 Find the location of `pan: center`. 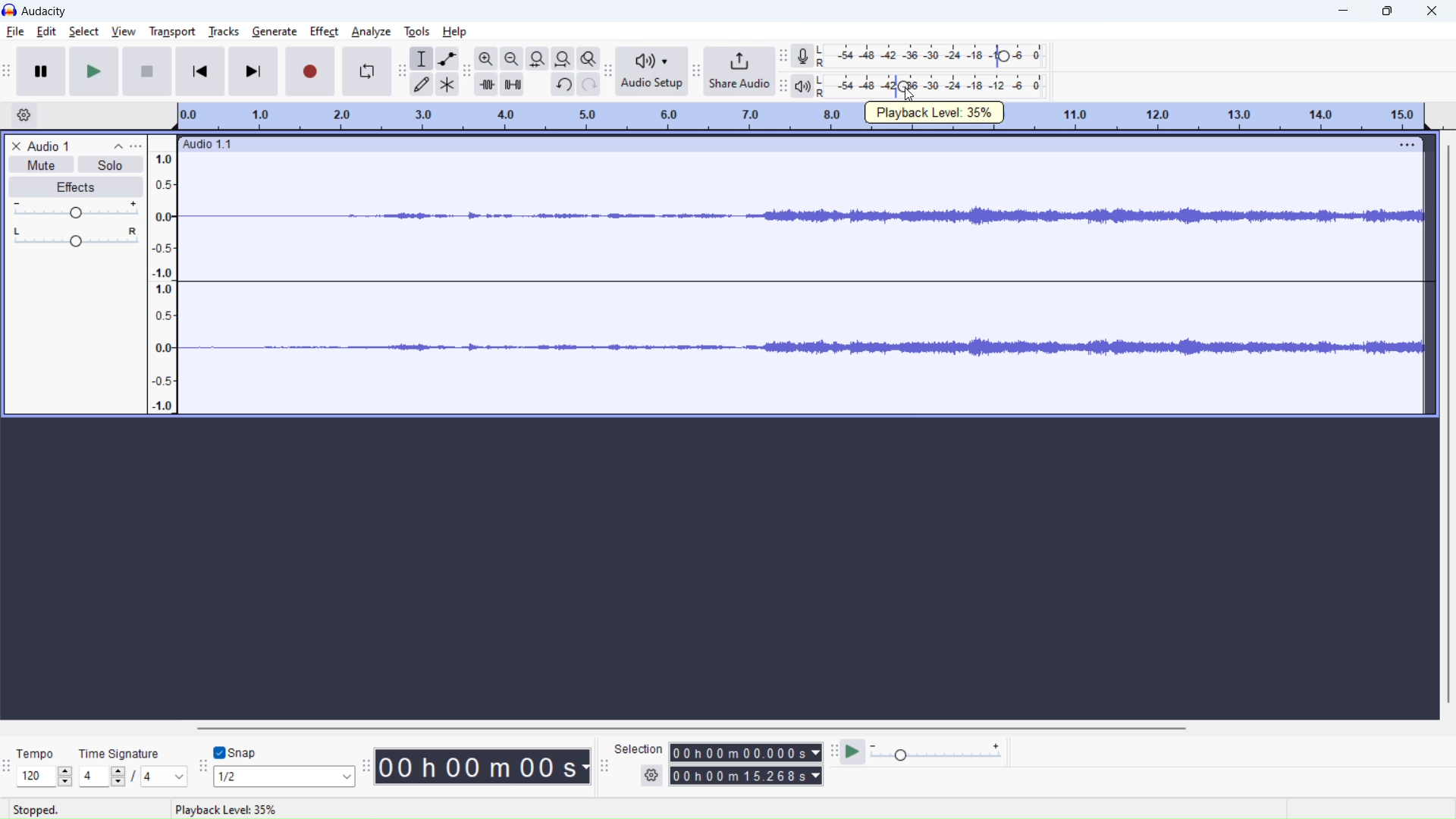

pan: center is located at coordinates (75, 237).